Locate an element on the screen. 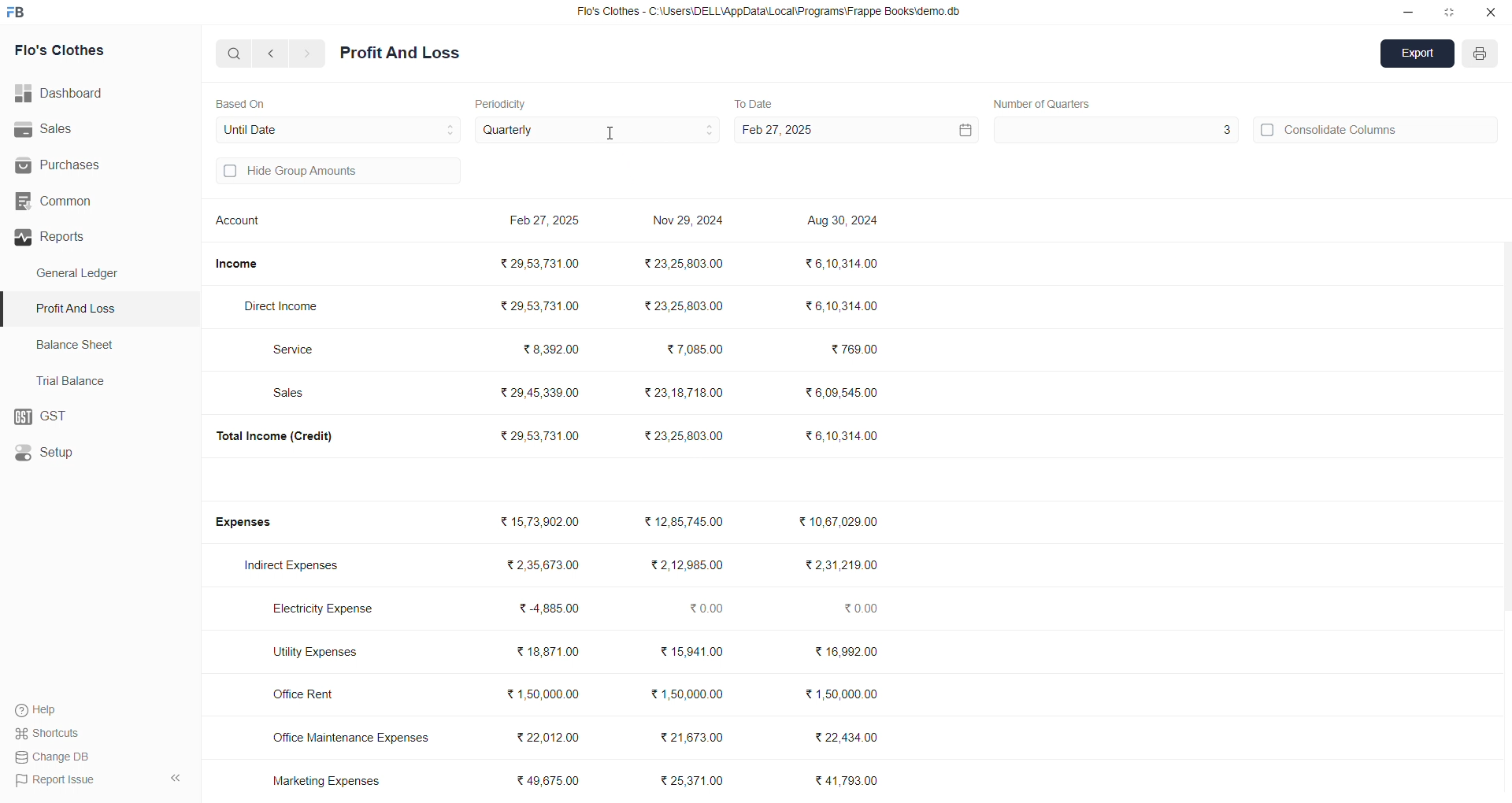 The height and width of the screenshot is (803, 1512). Utility Expenses. is located at coordinates (324, 651).